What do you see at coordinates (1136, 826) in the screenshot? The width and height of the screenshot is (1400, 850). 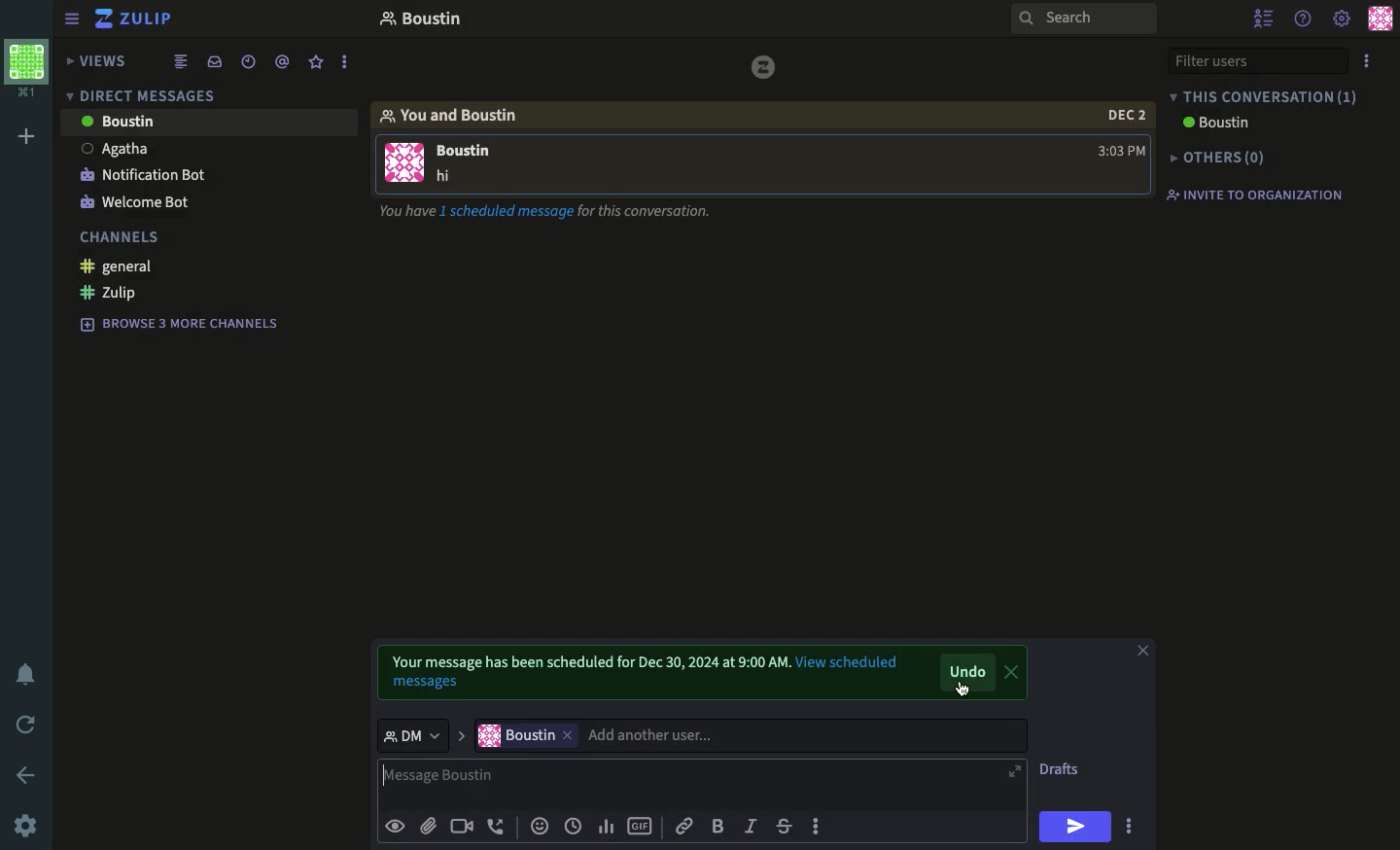 I see `options` at bounding box center [1136, 826].